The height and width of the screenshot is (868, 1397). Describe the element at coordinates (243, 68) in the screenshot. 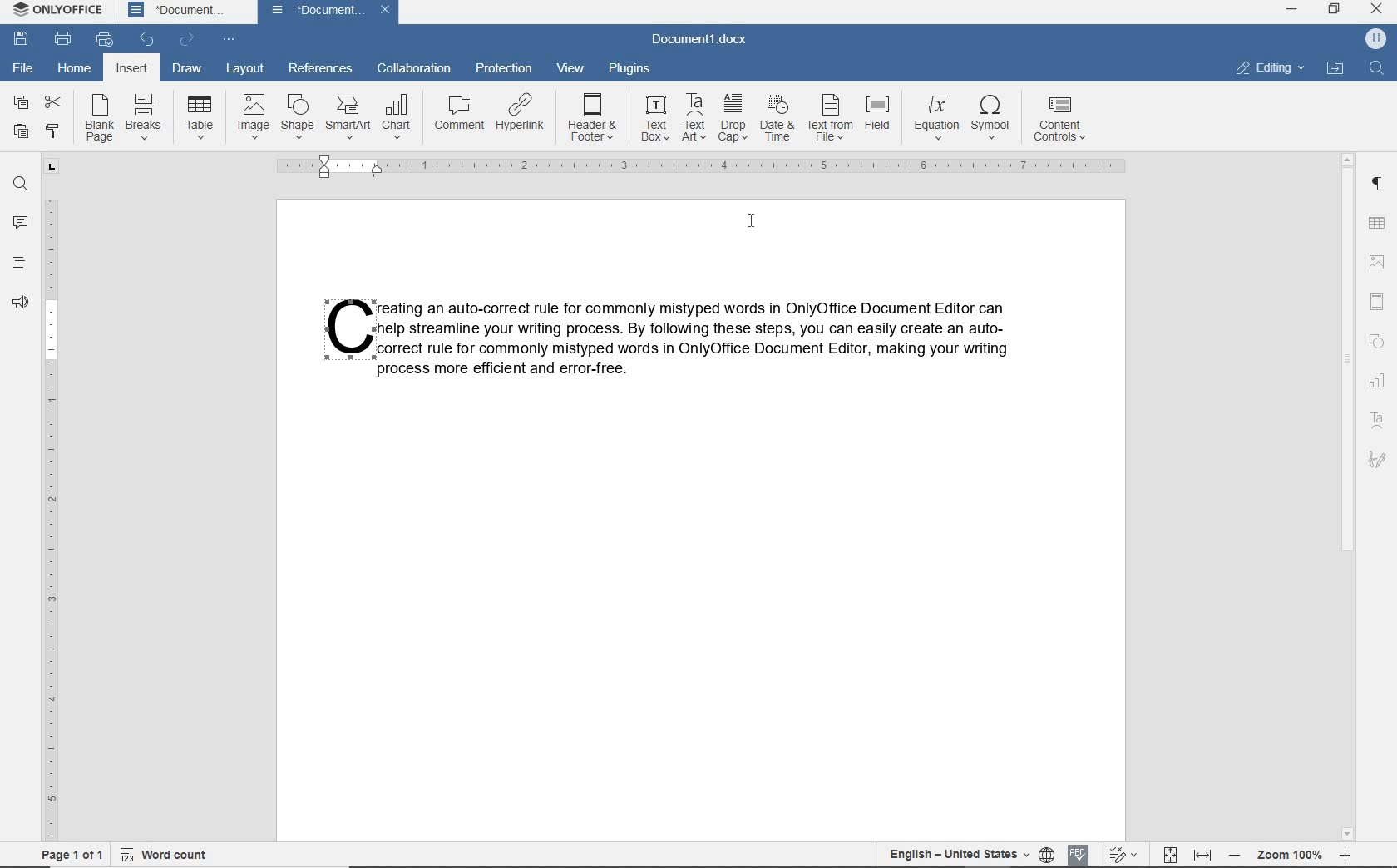

I see `layout` at that location.